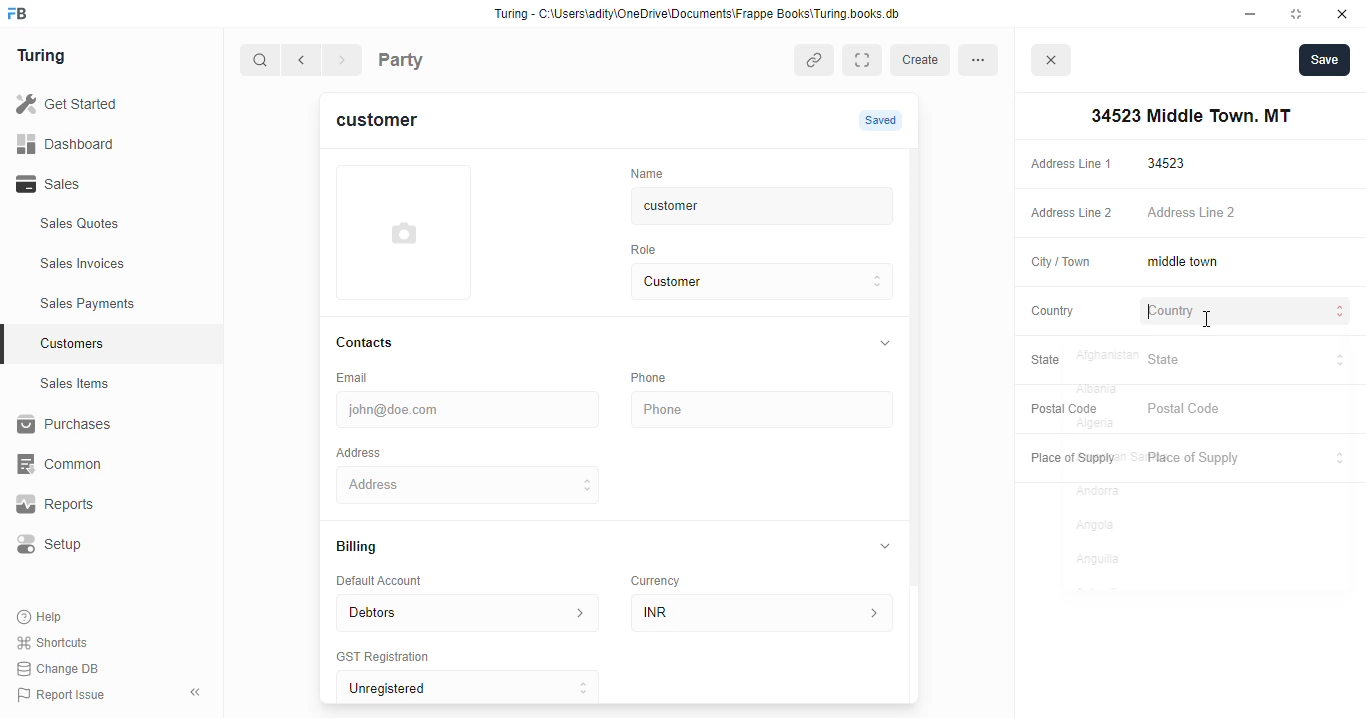 The image size is (1366, 718). What do you see at coordinates (1070, 162) in the screenshot?
I see `Address Line 1` at bounding box center [1070, 162].